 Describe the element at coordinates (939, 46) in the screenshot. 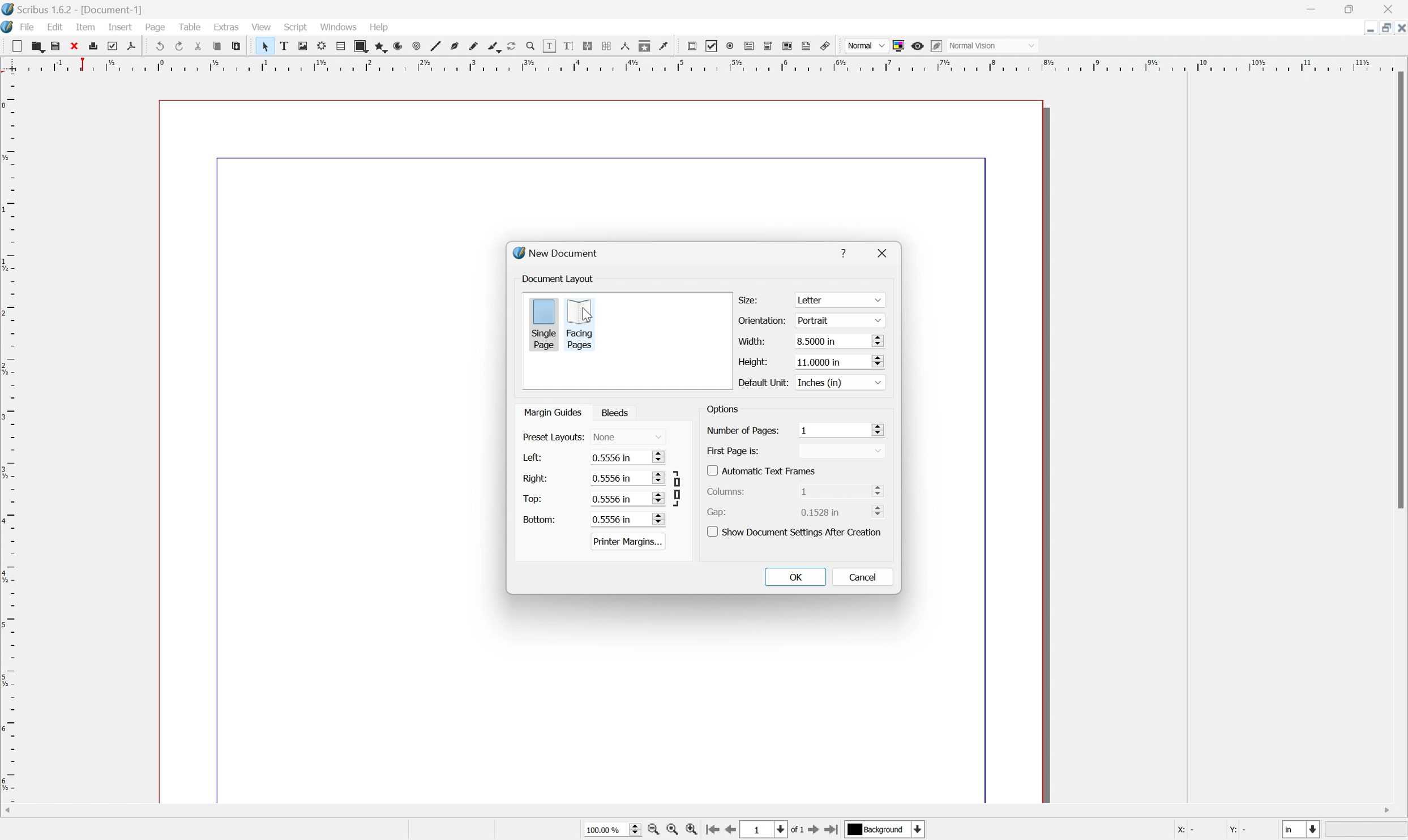

I see `Edit in preview mode` at that location.